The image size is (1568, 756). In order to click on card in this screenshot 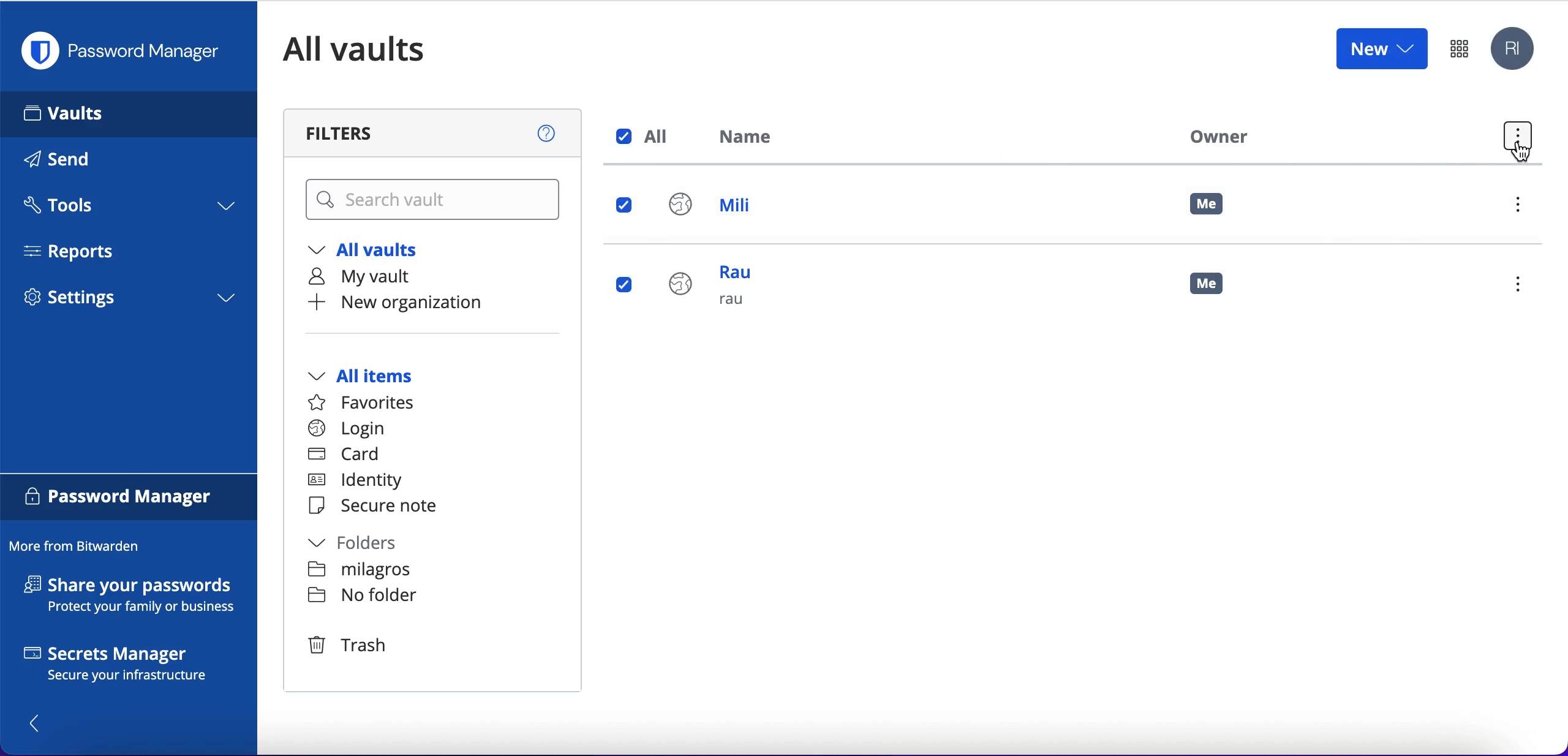, I will do `click(346, 456)`.